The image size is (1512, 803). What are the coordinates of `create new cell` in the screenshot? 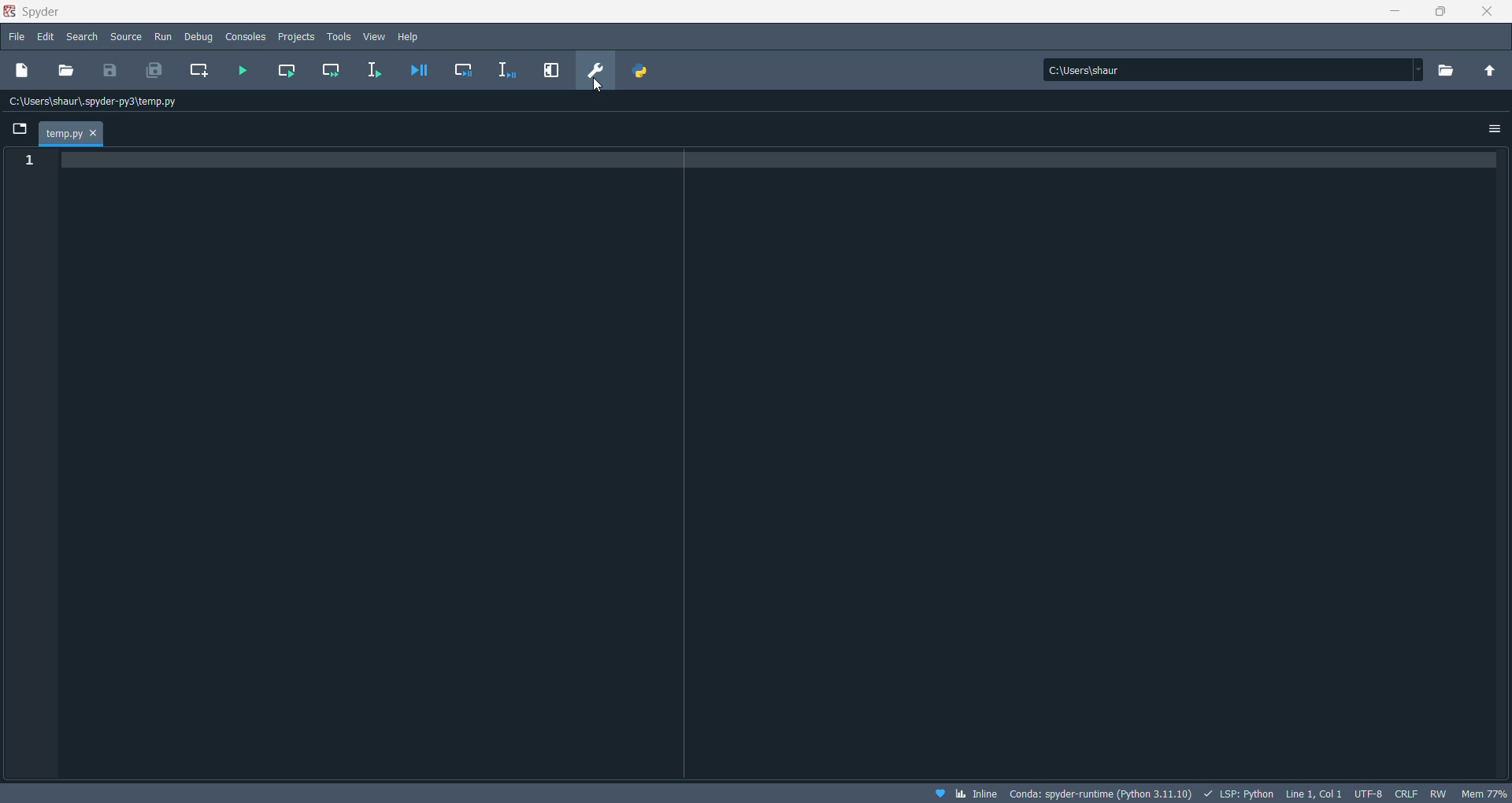 It's located at (199, 72).